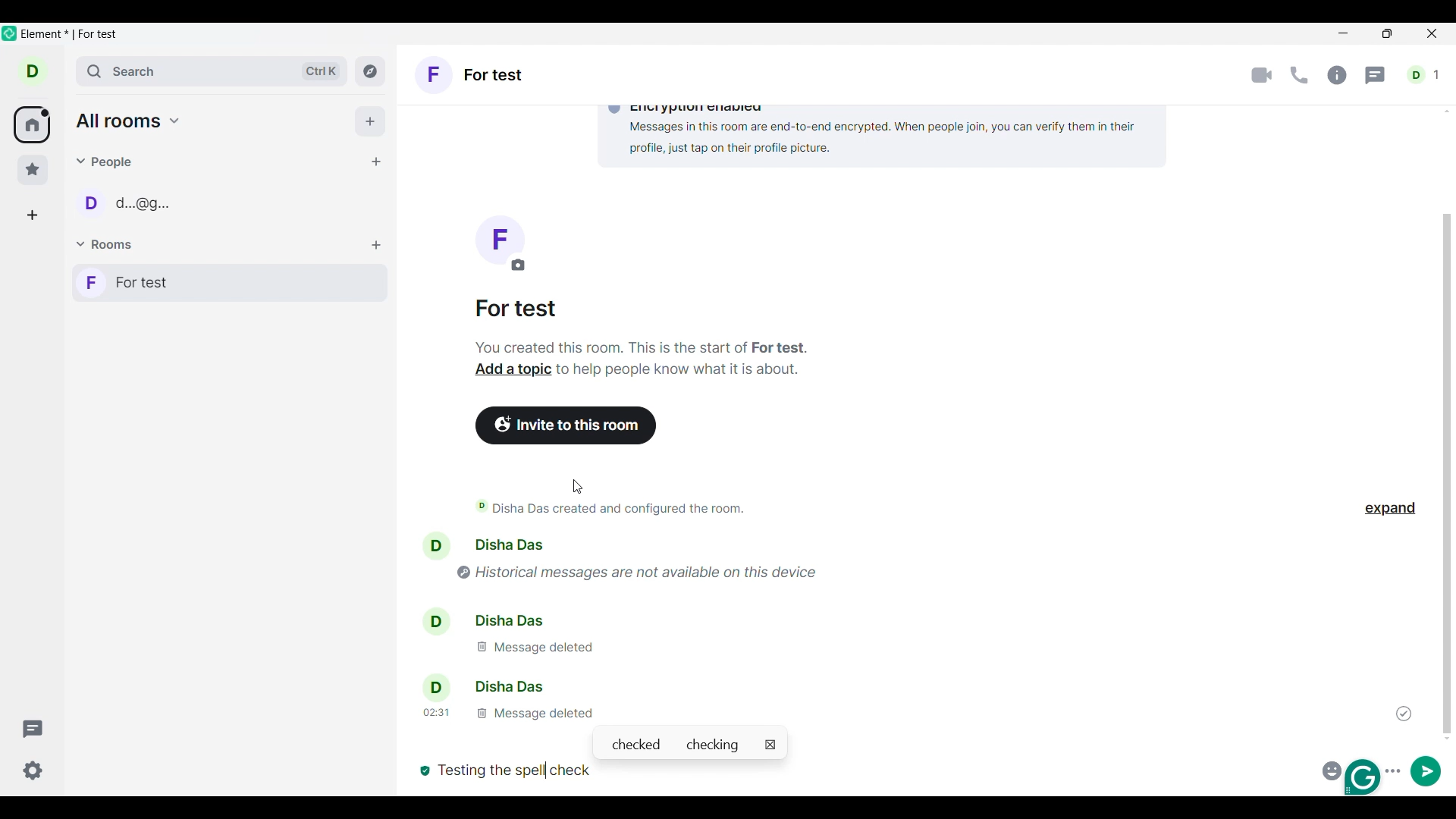 The image size is (1456, 819). Describe the element at coordinates (770, 745) in the screenshot. I see `close` at that location.